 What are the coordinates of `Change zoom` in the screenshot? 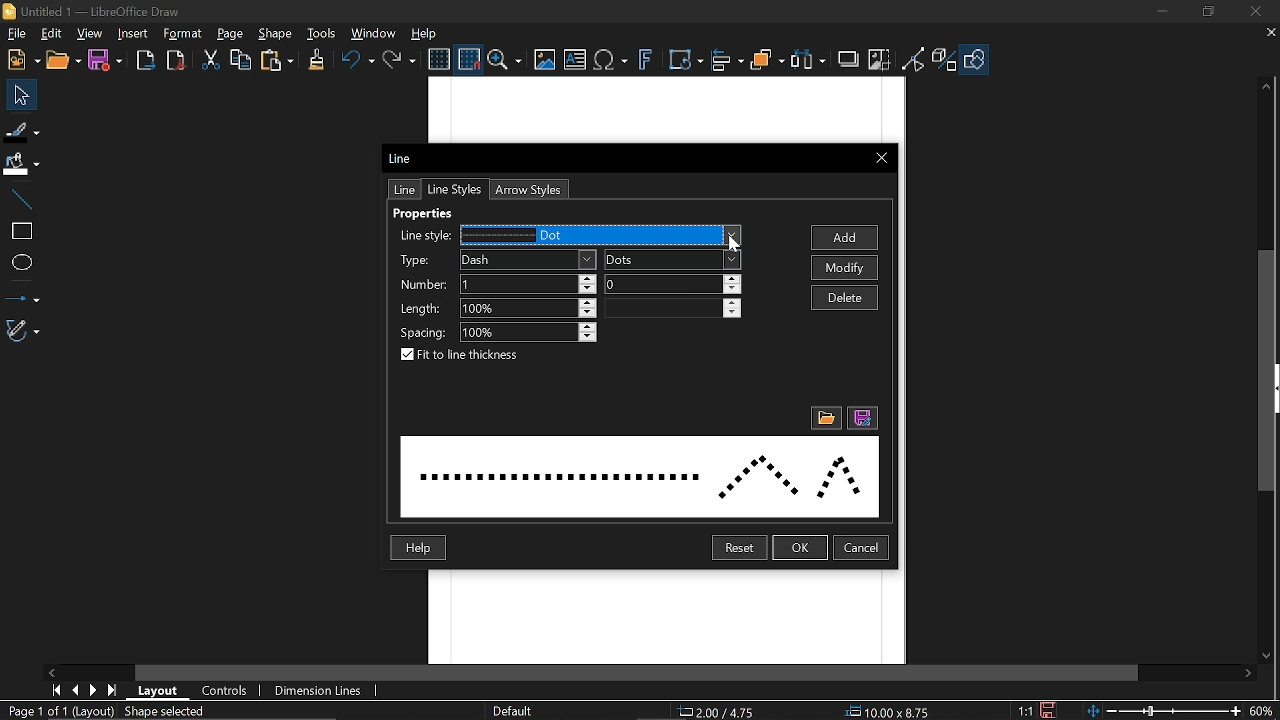 It's located at (1159, 711).